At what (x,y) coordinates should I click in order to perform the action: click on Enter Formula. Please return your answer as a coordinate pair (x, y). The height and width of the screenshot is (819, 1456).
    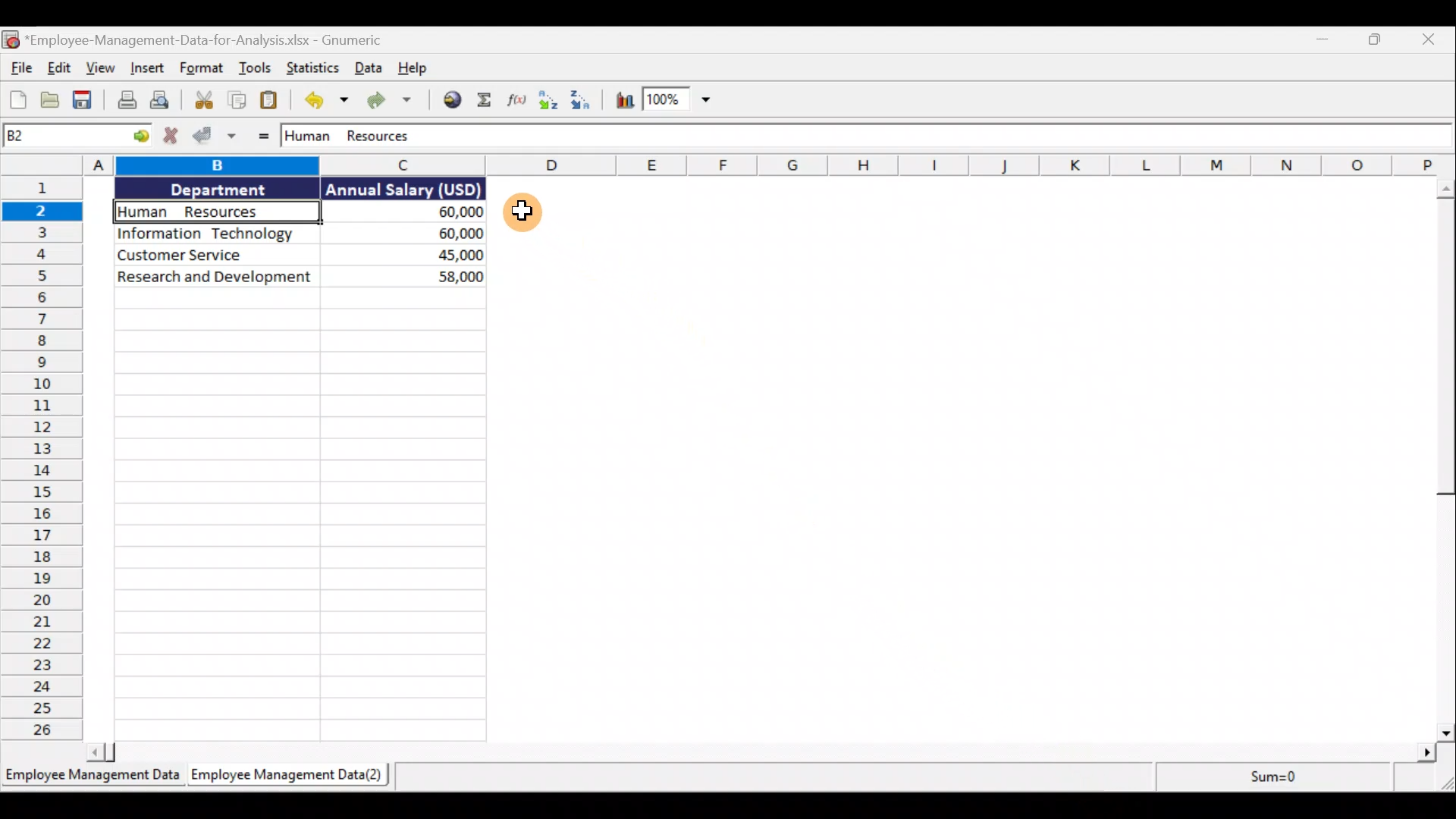
    Looking at the image, I should click on (263, 139).